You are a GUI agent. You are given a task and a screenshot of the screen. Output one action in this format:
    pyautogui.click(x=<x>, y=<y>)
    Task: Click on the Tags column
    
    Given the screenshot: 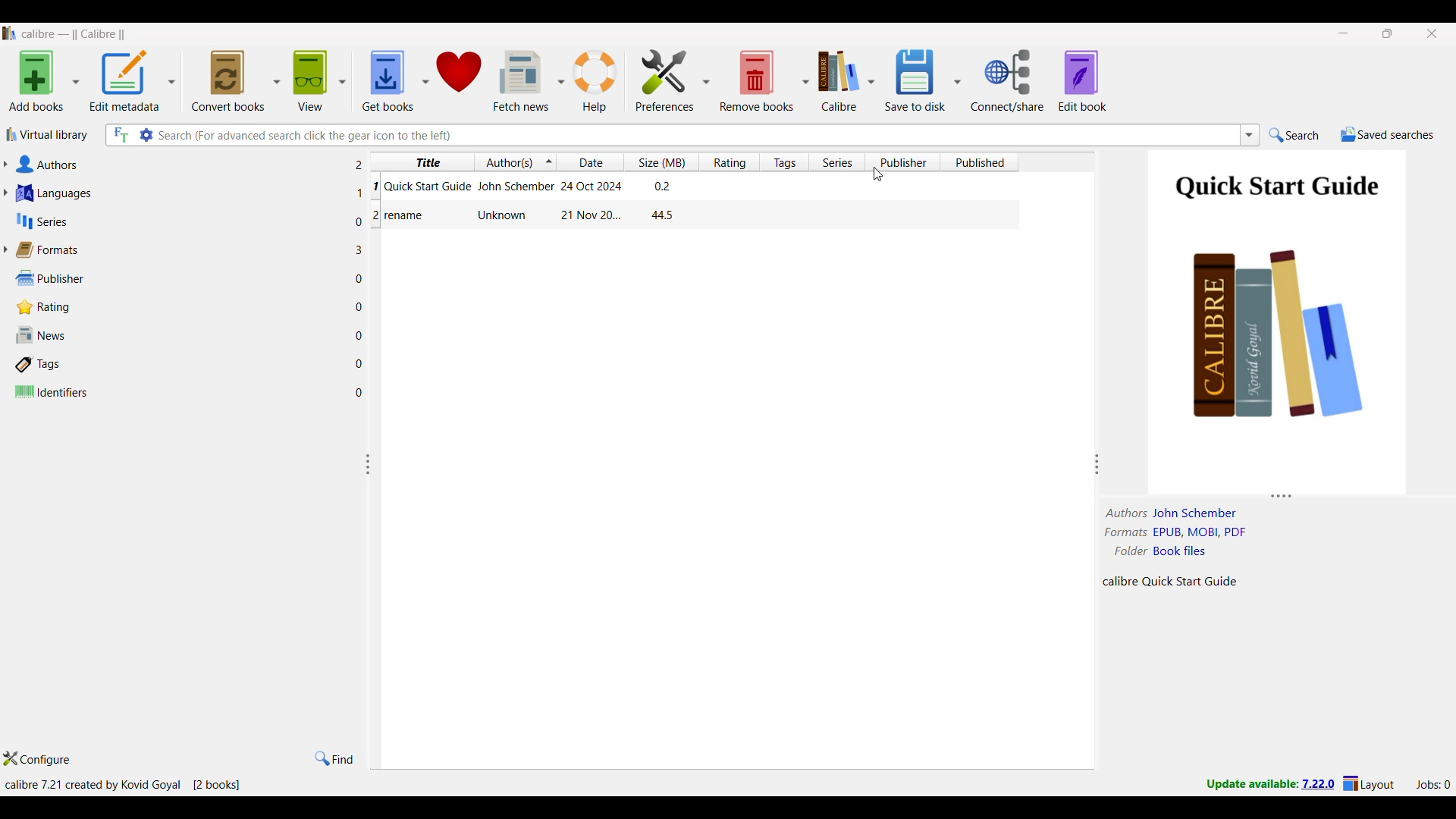 What is the action you would take?
    pyautogui.click(x=784, y=162)
    